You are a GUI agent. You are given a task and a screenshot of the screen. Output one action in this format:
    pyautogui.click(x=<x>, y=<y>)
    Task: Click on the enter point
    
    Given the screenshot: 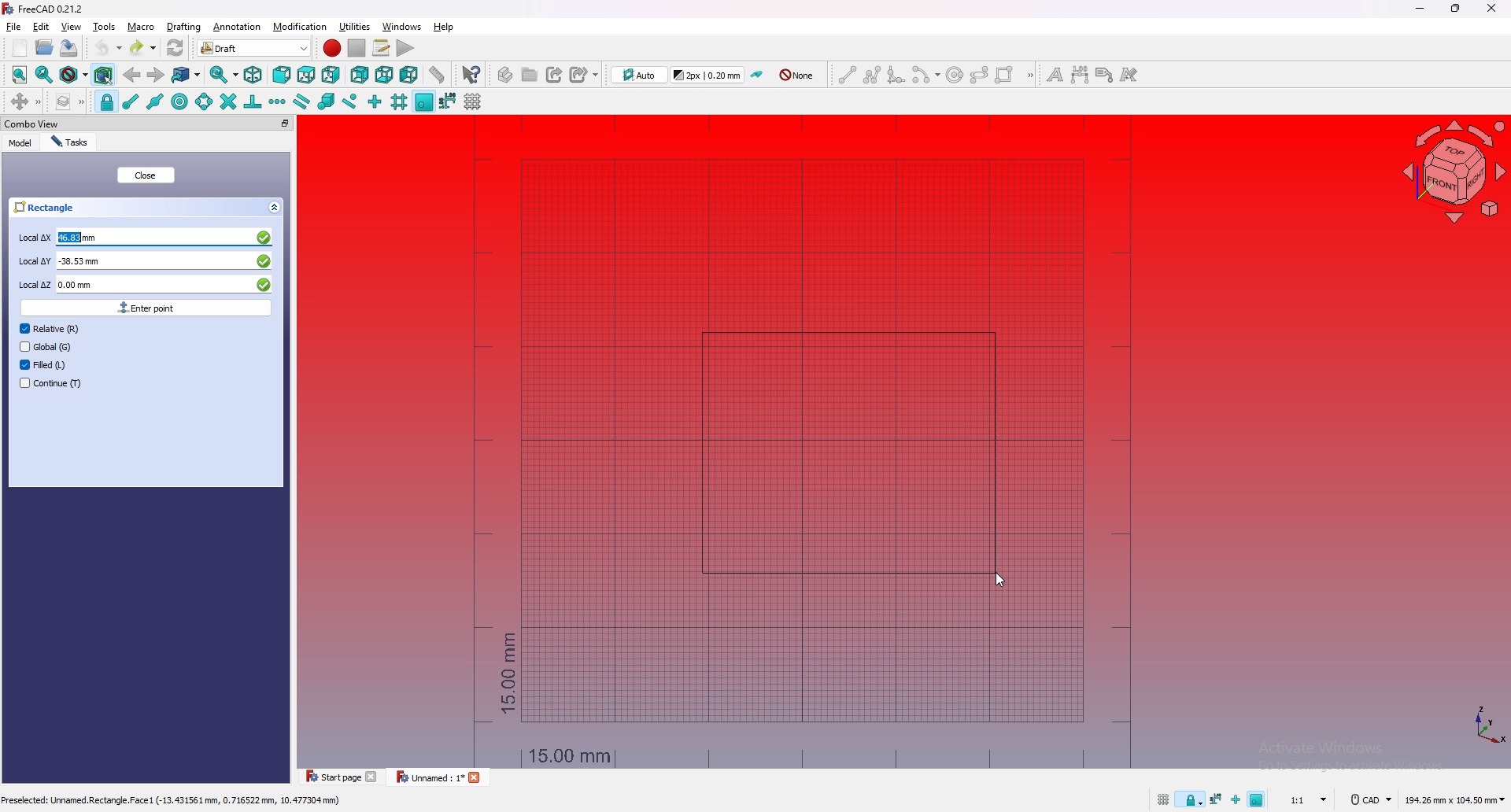 What is the action you would take?
    pyautogui.click(x=145, y=307)
    